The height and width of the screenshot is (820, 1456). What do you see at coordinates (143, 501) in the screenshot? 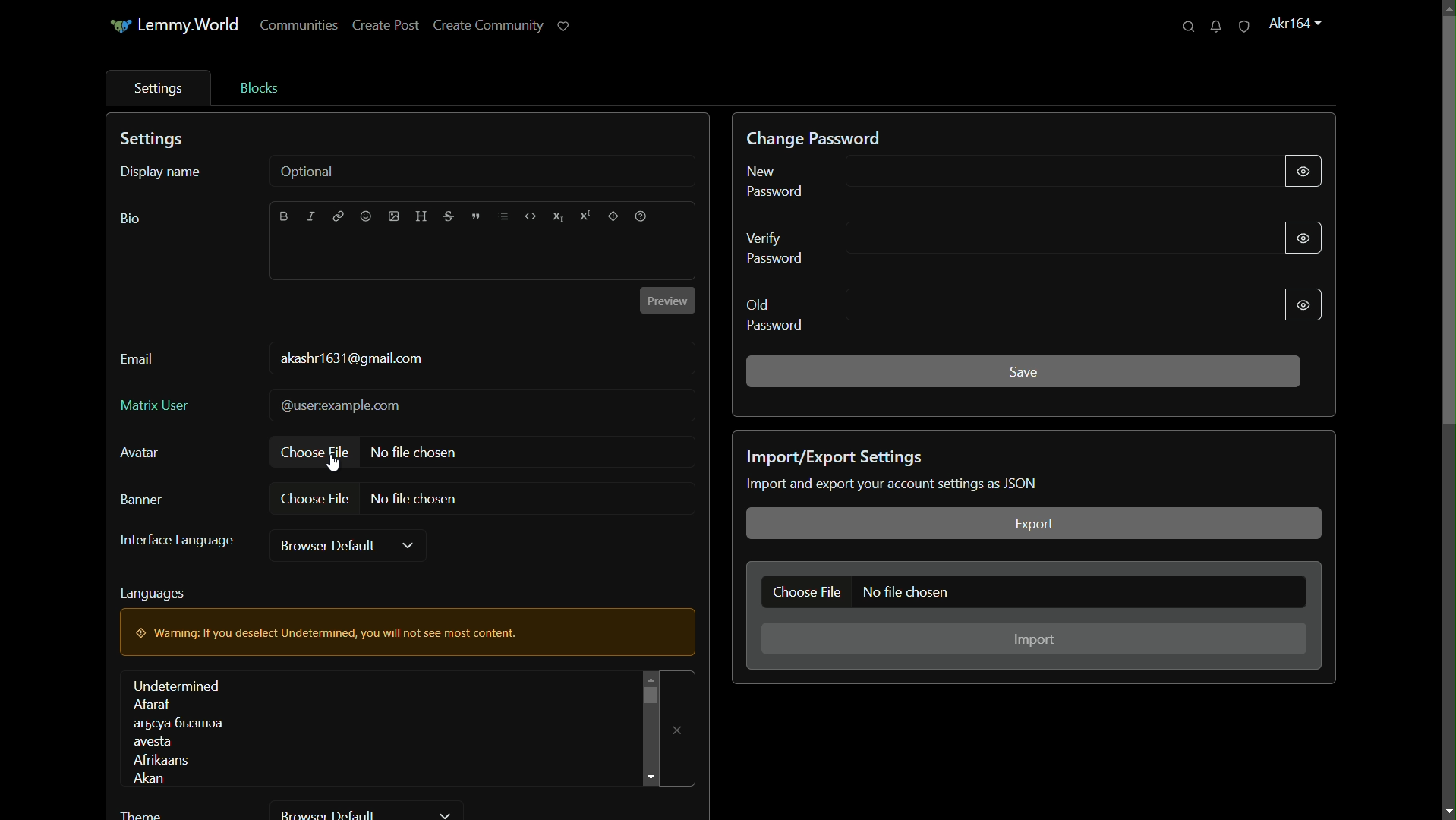
I see `banner` at bounding box center [143, 501].